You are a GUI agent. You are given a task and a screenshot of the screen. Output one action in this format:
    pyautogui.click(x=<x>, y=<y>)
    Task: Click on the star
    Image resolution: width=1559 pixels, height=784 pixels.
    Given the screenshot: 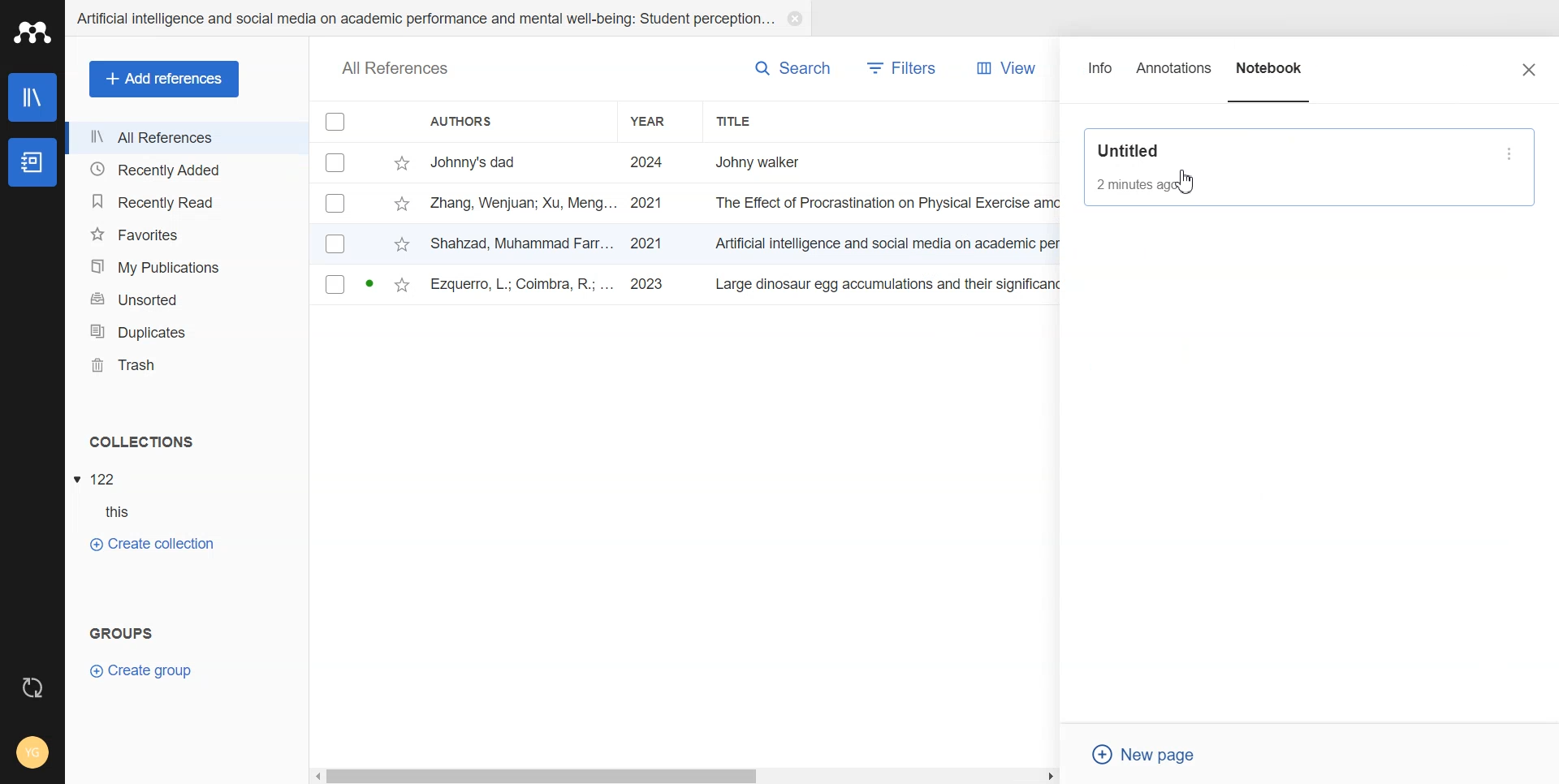 What is the action you would take?
    pyautogui.click(x=402, y=286)
    